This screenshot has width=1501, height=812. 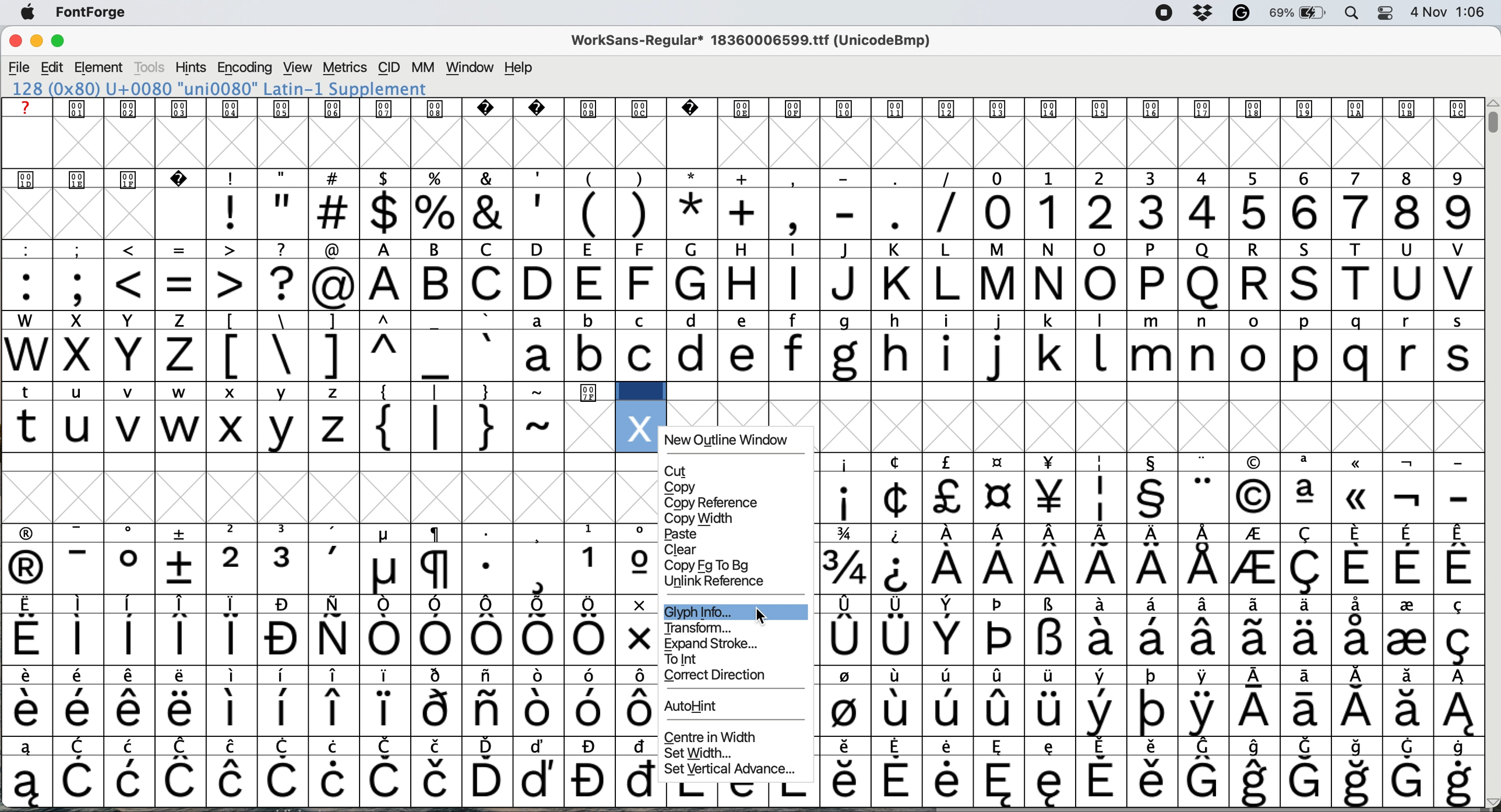 What do you see at coordinates (764, 614) in the screenshot?
I see `cursor` at bounding box center [764, 614].